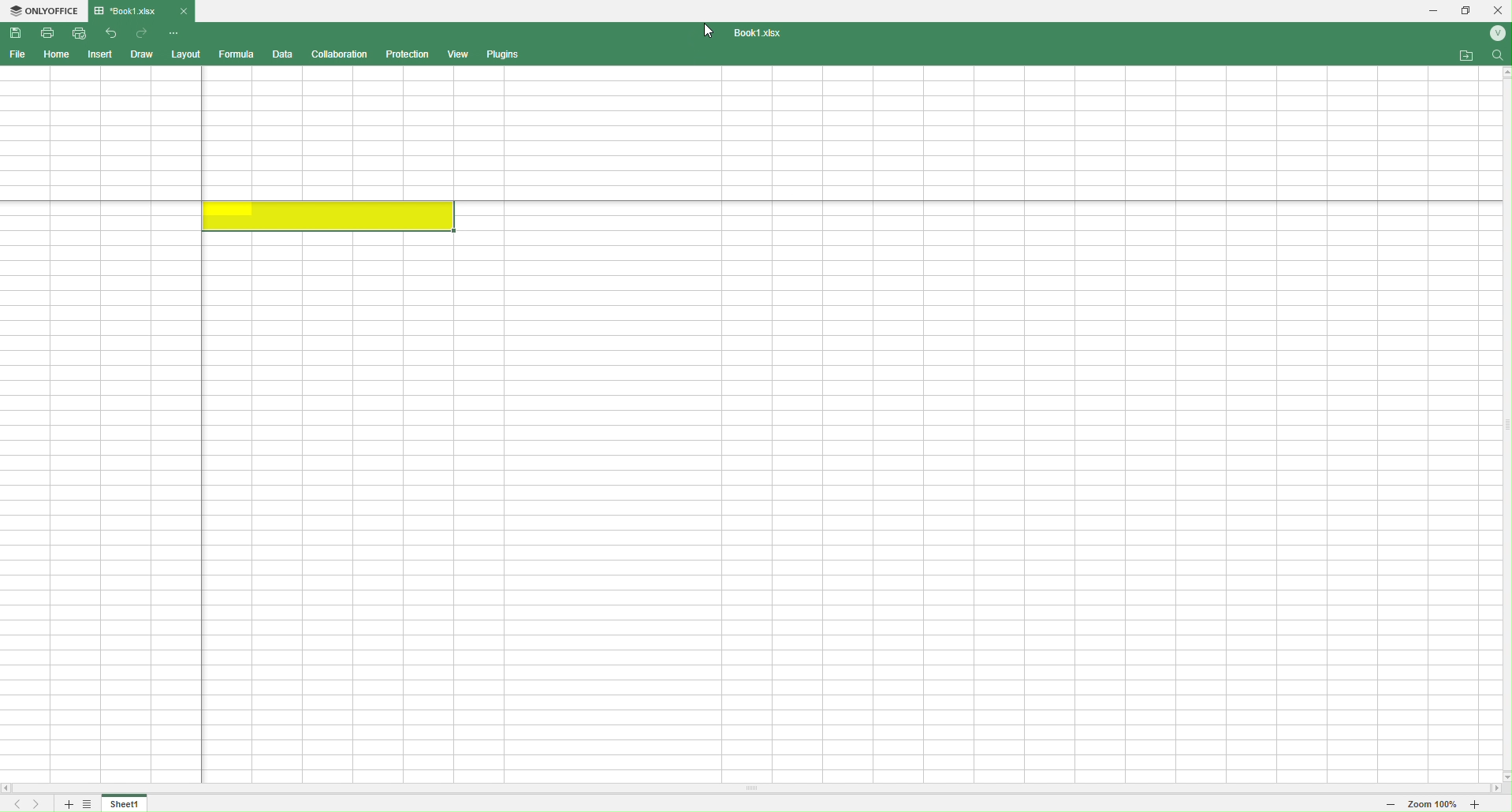 The width and height of the screenshot is (1512, 812). I want to click on Close, so click(184, 10).